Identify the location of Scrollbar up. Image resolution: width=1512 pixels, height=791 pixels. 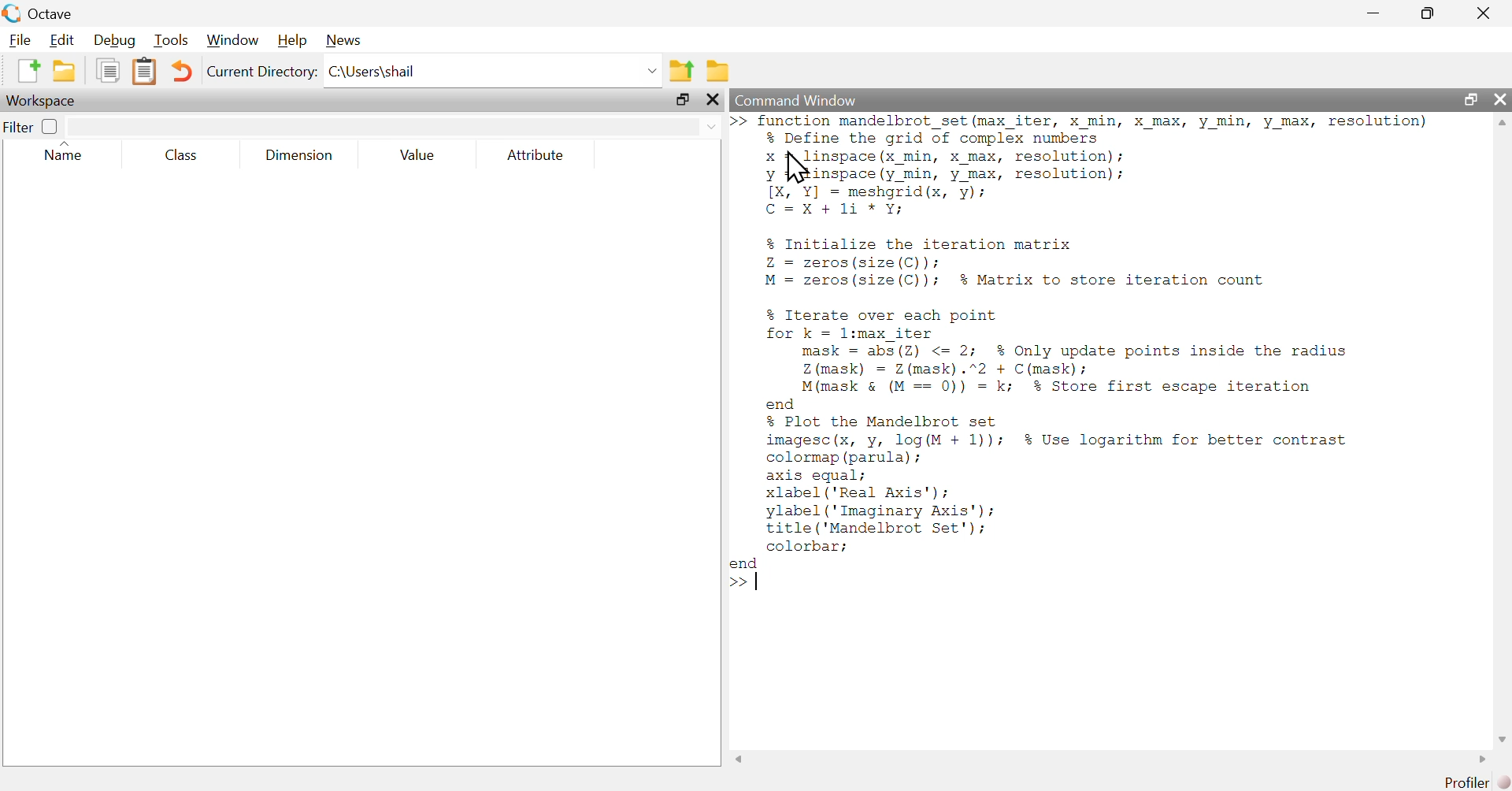
(1502, 124).